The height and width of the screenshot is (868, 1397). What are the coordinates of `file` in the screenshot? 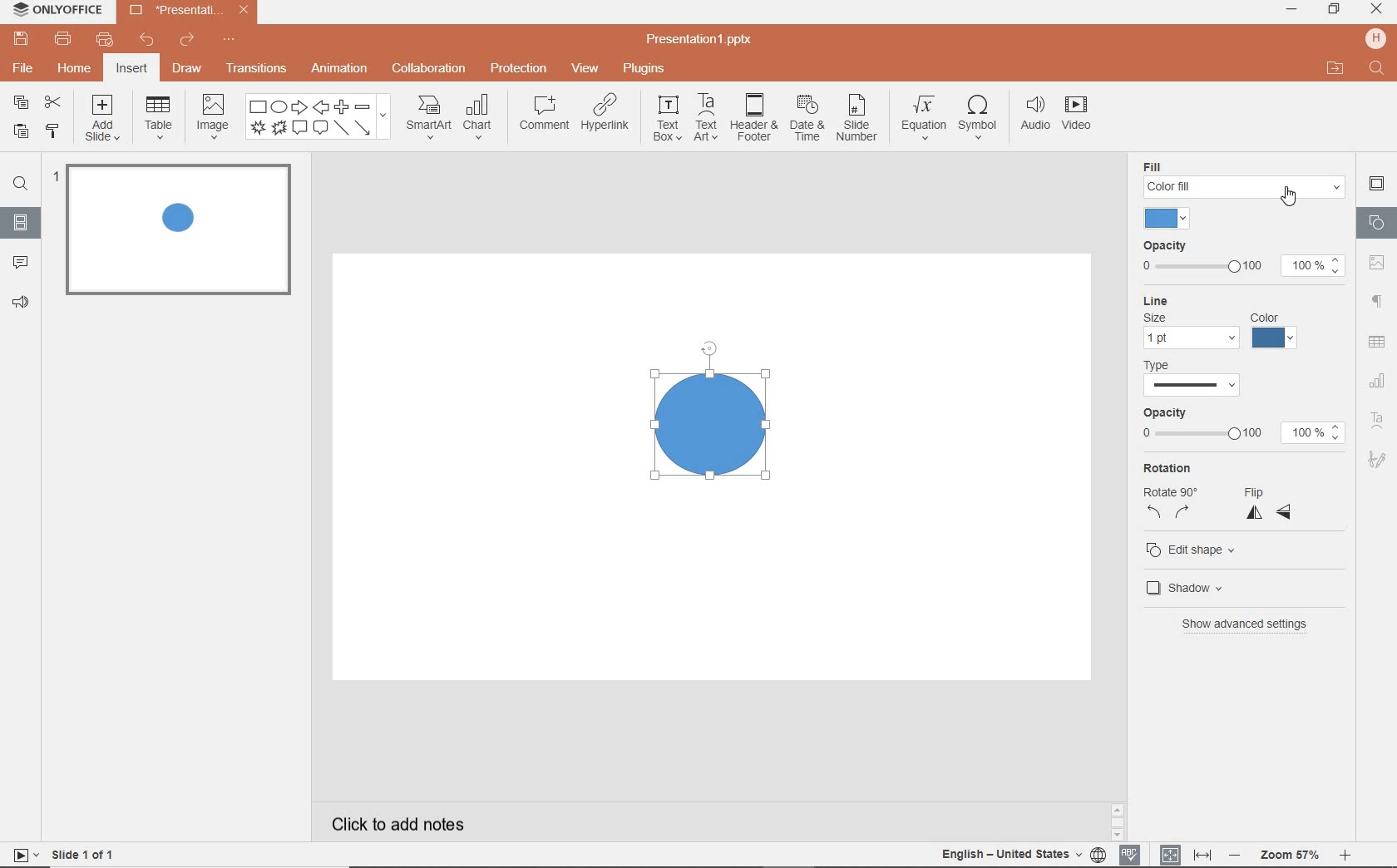 It's located at (22, 67).